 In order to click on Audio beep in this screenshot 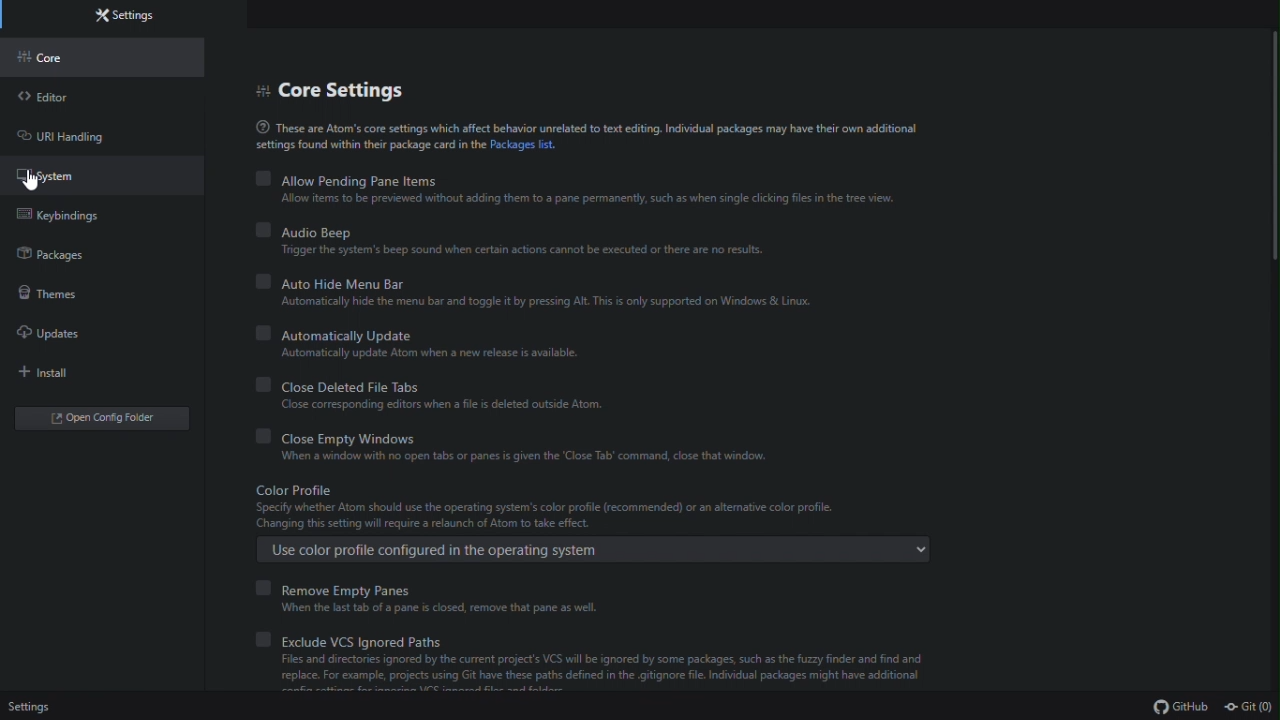, I will do `click(552, 231)`.